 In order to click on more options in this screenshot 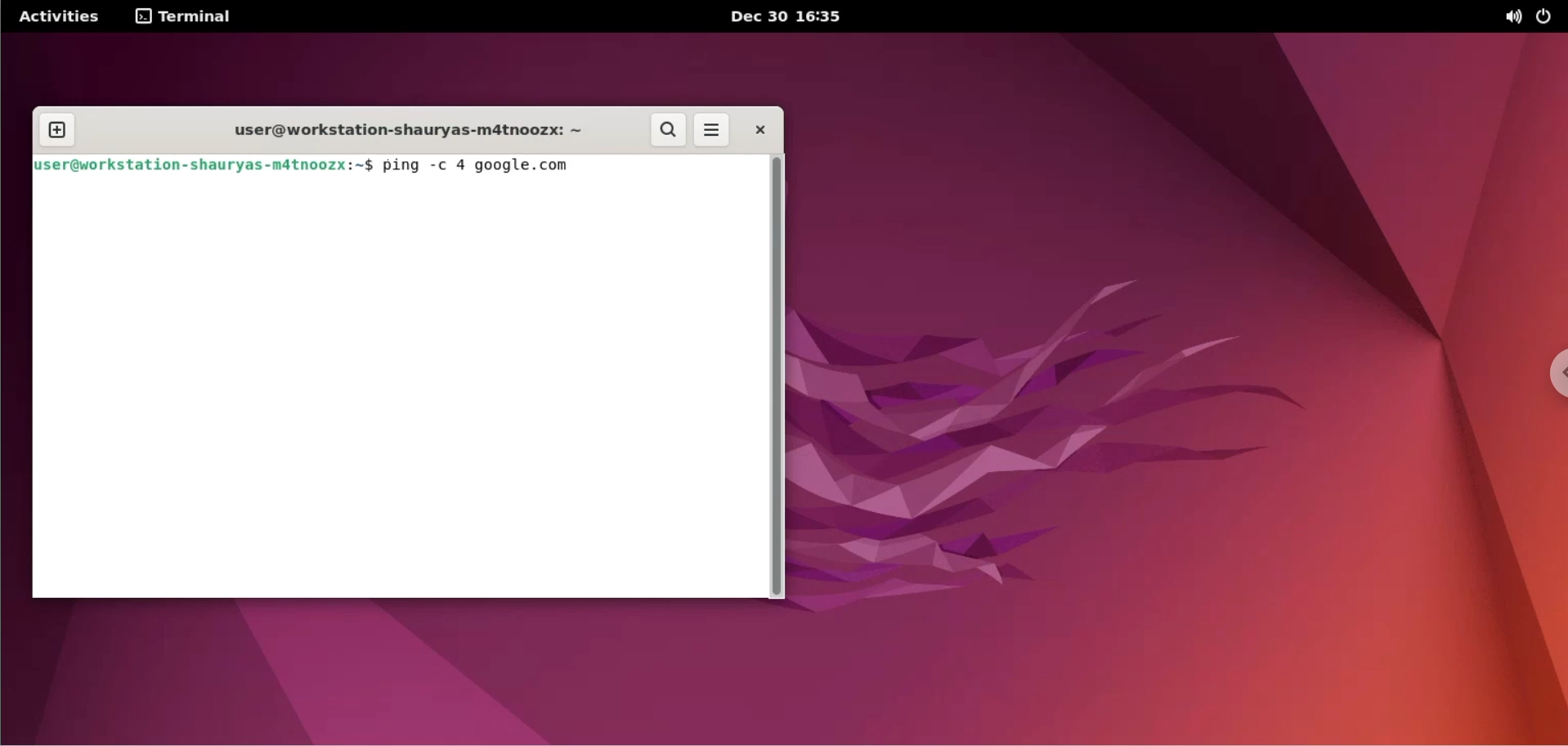, I will do `click(713, 129)`.